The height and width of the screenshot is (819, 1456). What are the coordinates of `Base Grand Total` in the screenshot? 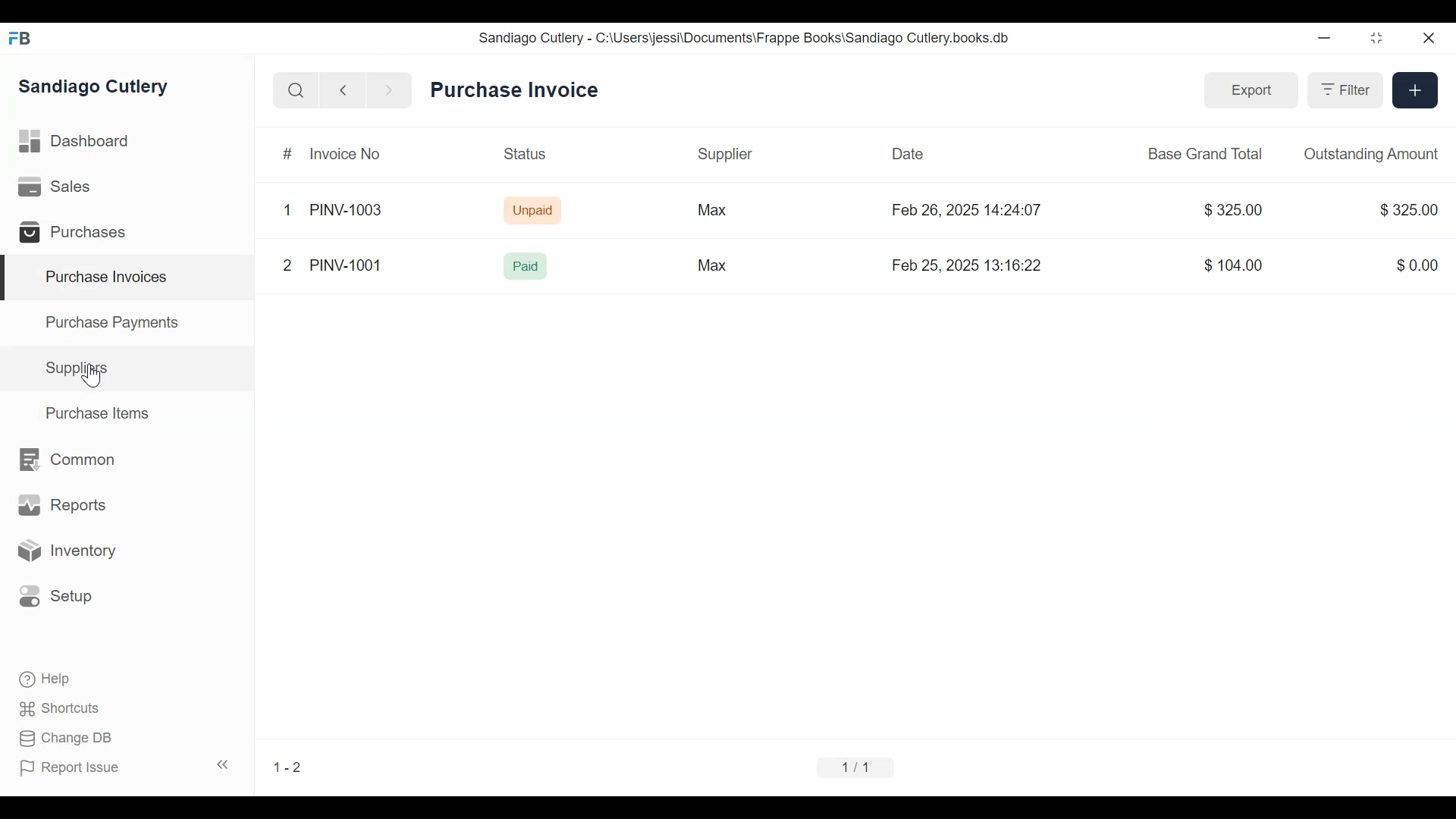 It's located at (1204, 155).